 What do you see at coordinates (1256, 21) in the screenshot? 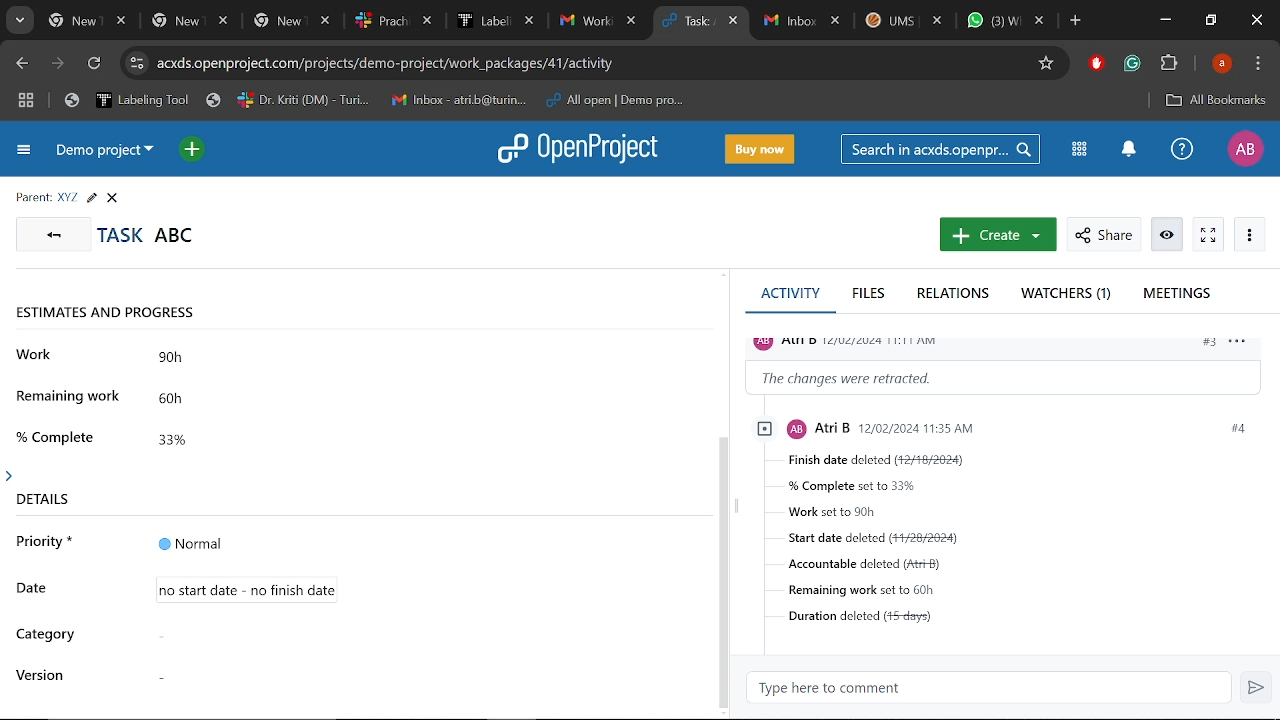
I see `Close` at bounding box center [1256, 21].